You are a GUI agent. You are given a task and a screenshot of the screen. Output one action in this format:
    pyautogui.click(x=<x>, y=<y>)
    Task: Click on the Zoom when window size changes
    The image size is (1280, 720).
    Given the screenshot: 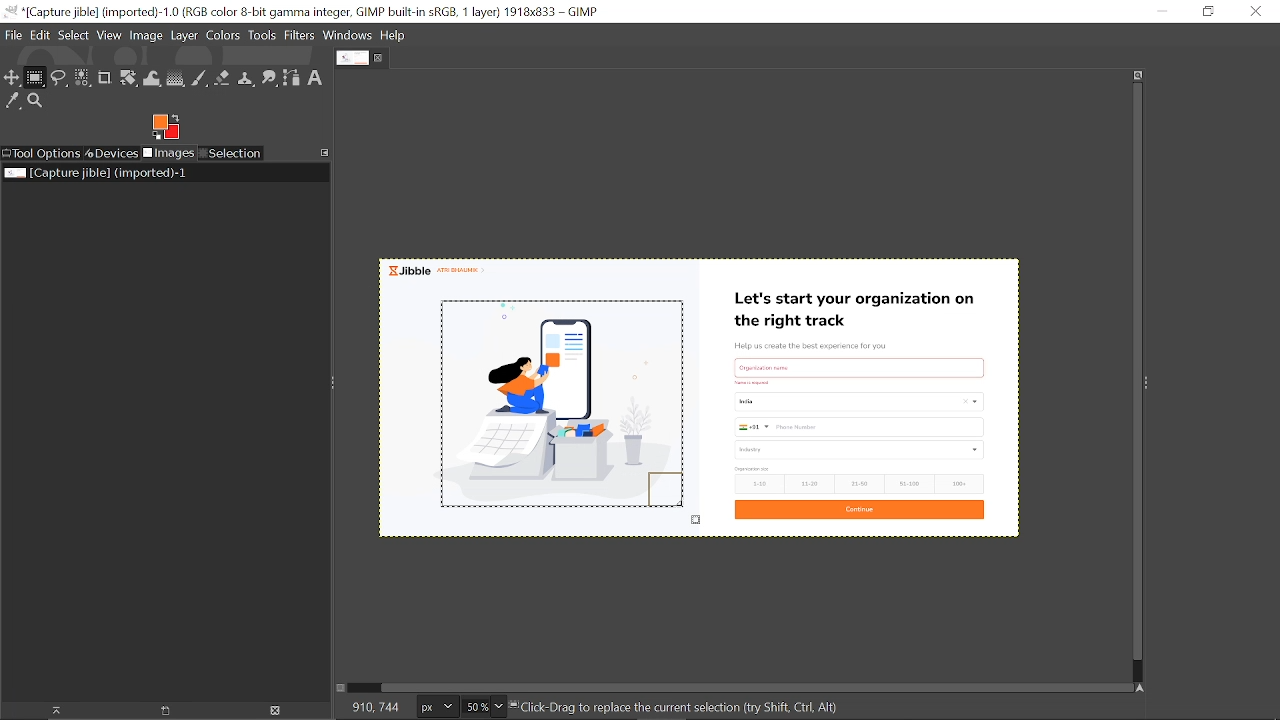 What is the action you would take?
    pyautogui.click(x=1138, y=75)
    